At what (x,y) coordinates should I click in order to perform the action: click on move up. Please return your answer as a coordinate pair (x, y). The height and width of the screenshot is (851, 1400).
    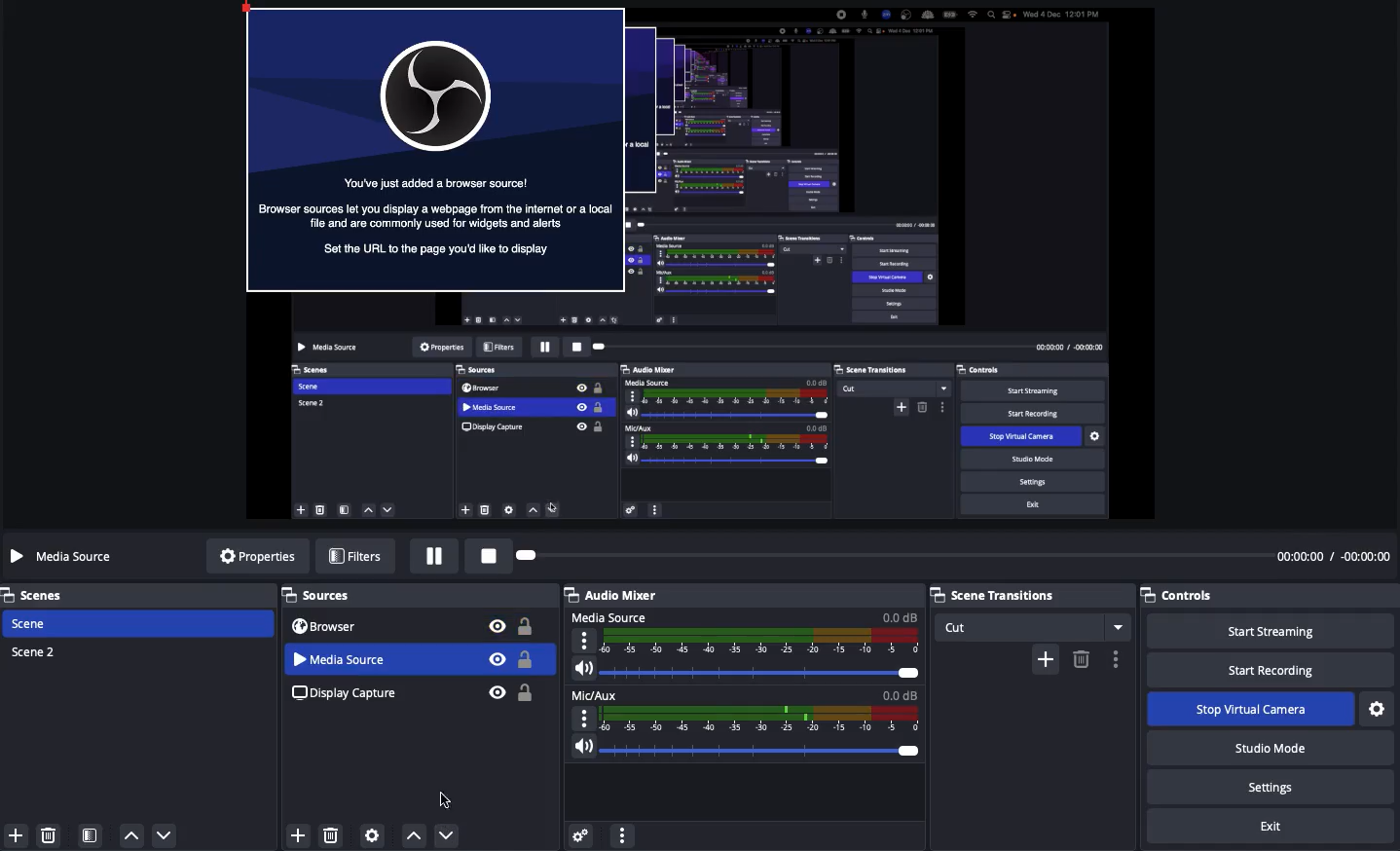
    Looking at the image, I should click on (133, 832).